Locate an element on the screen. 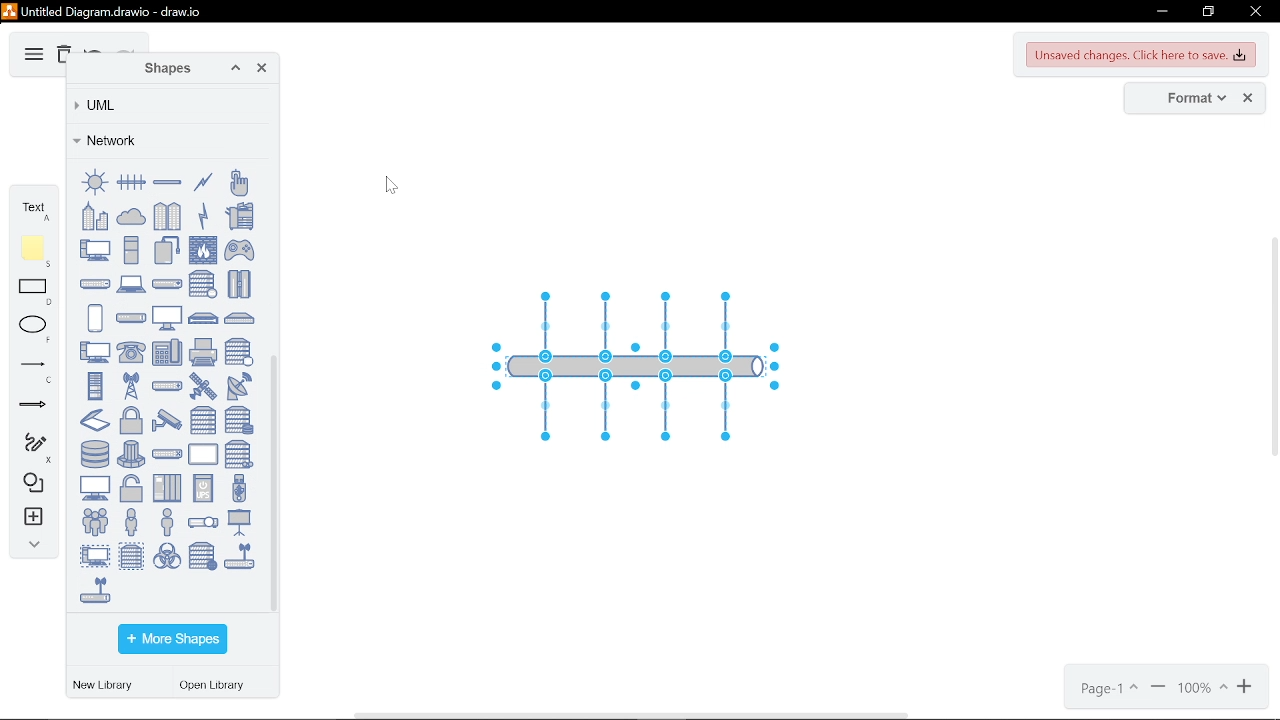 The height and width of the screenshot is (720, 1280). gamepad is located at coordinates (240, 250).